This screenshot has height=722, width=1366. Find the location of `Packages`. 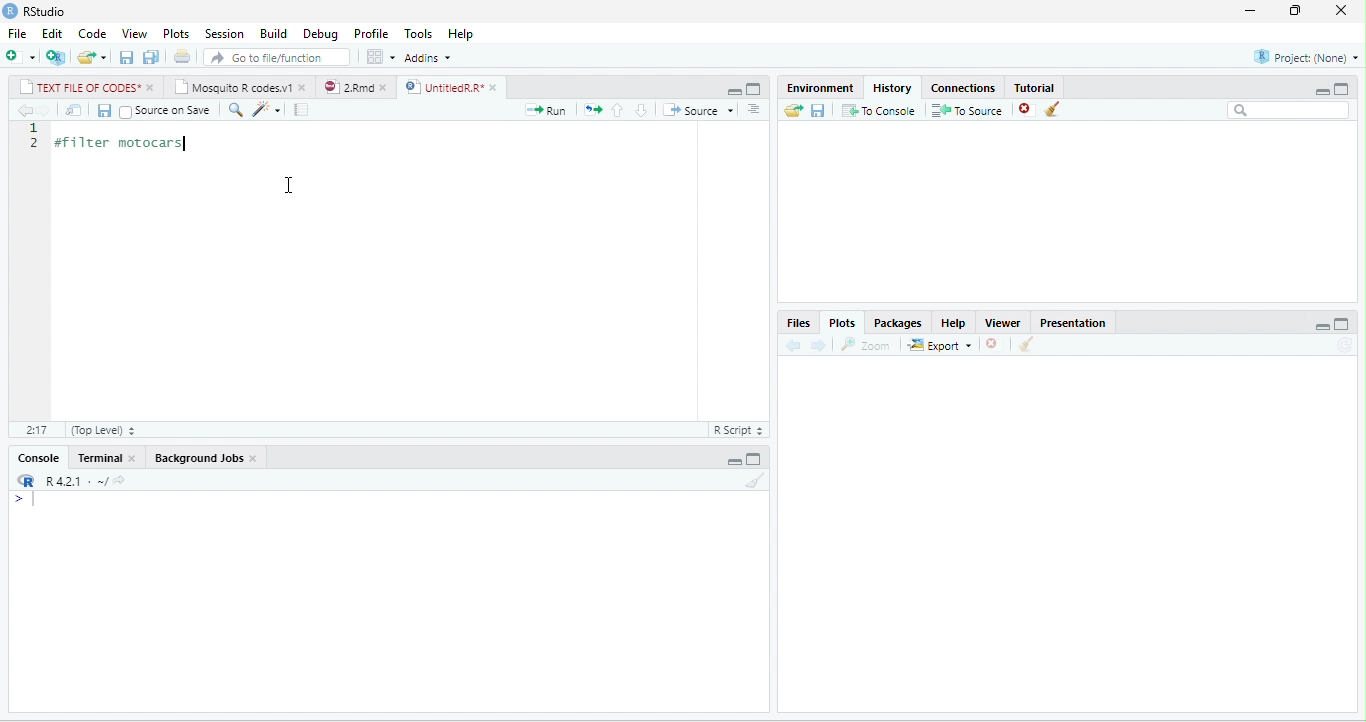

Packages is located at coordinates (898, 323).